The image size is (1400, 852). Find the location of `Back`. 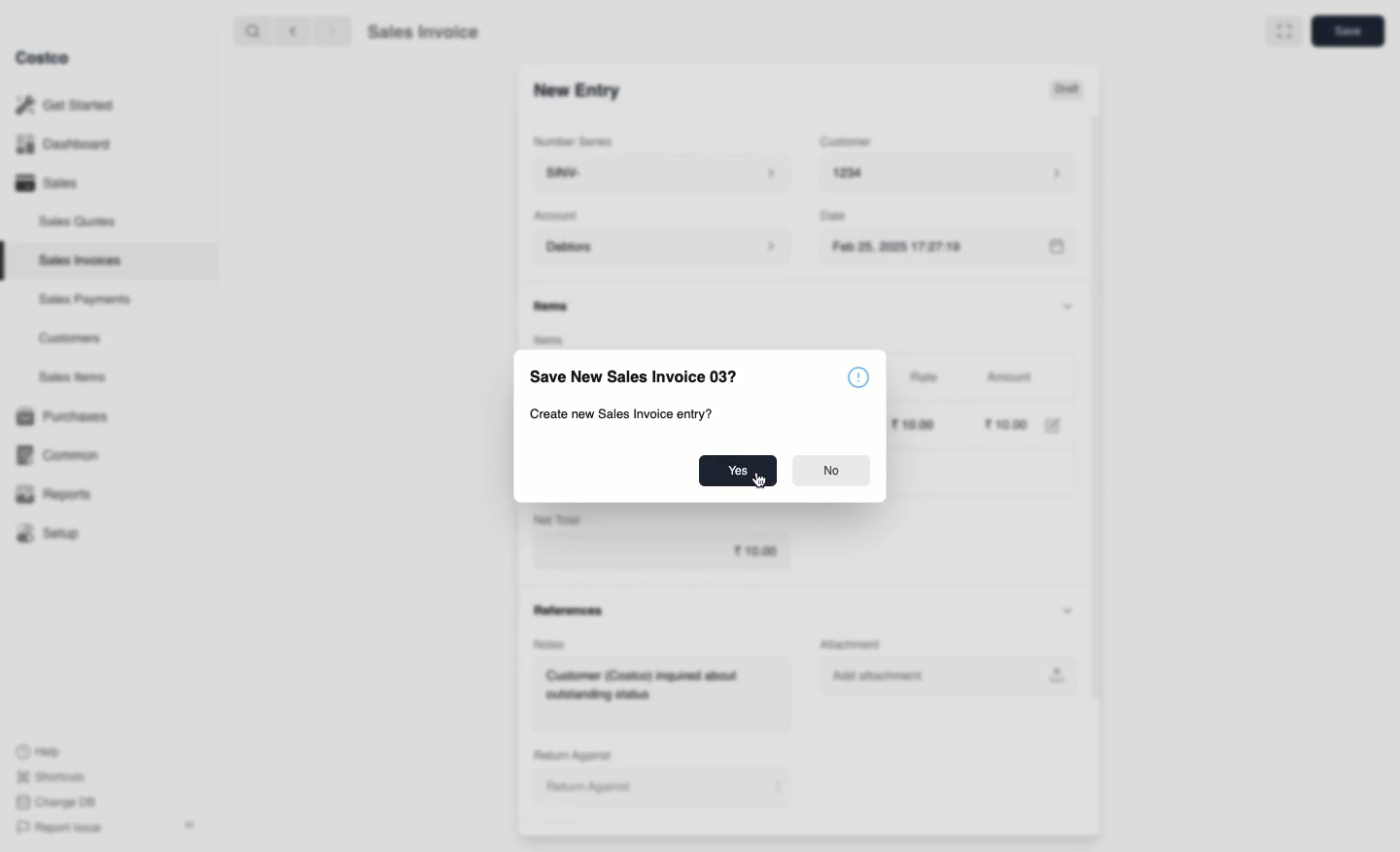

Back is located at coordinates (288, 33).